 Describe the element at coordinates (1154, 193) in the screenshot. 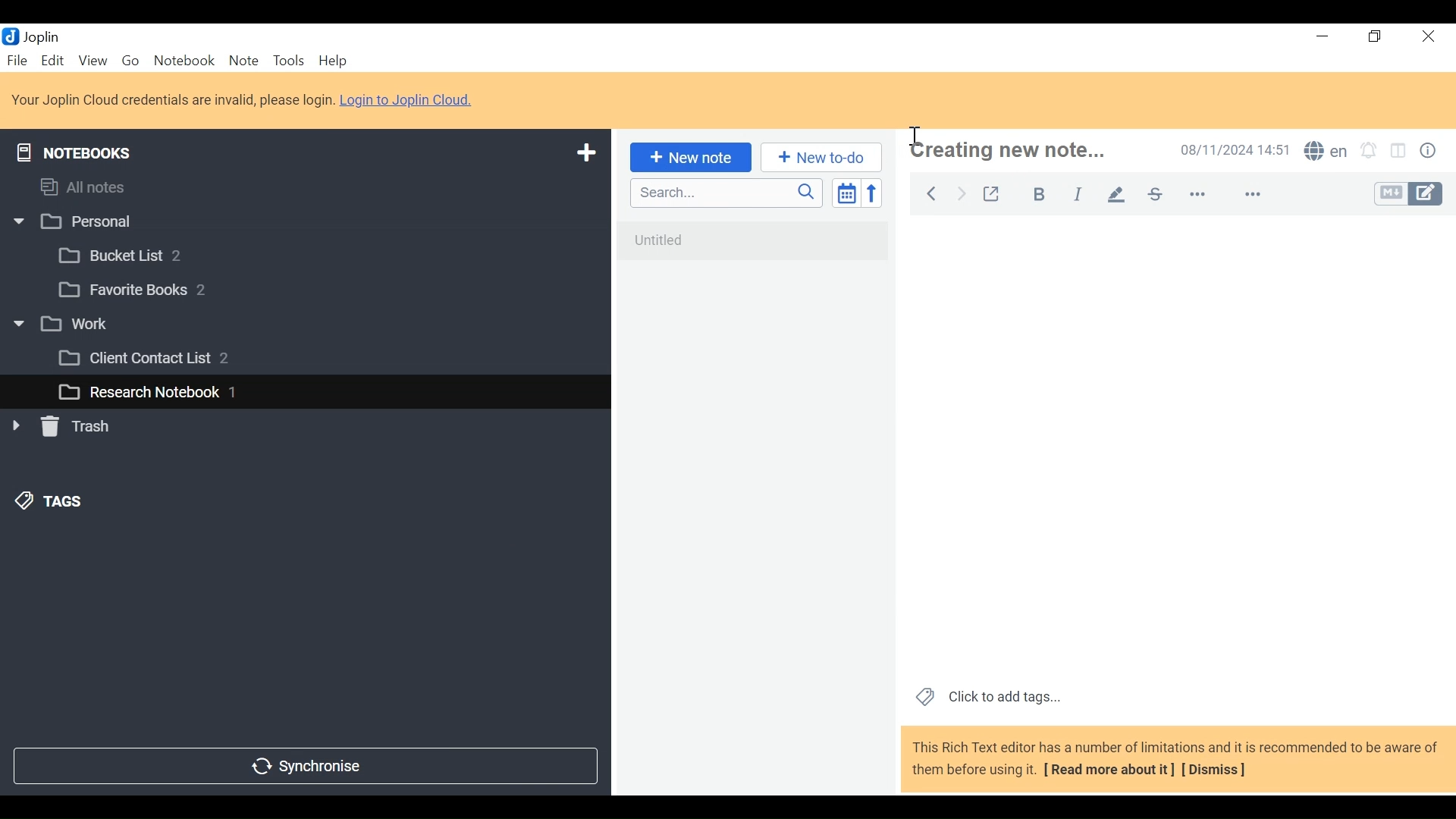

I see `strikethrough` at that location.